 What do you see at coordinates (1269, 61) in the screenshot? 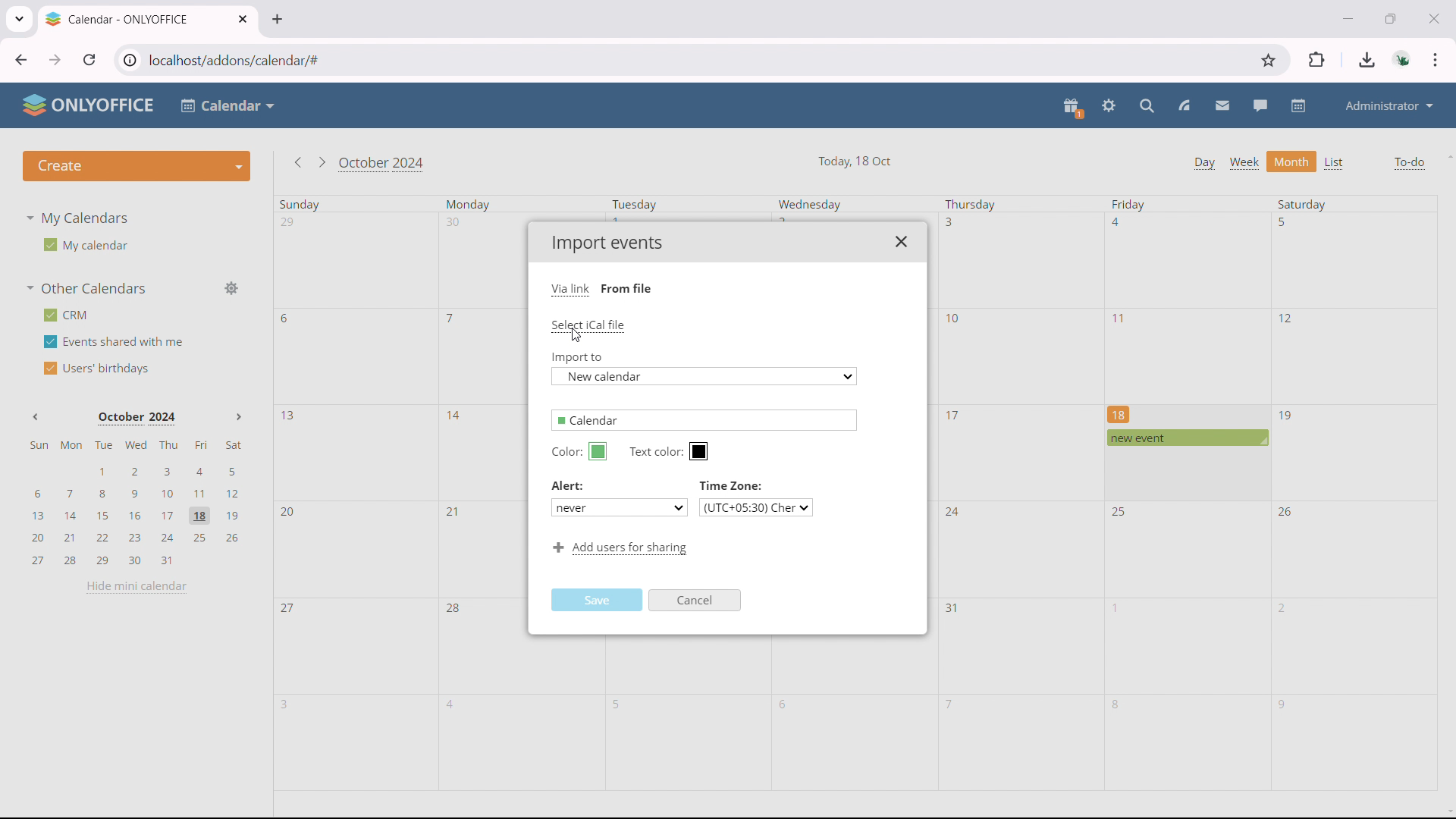
I see `bookmark this tab` at bounding box center [1269, 61].